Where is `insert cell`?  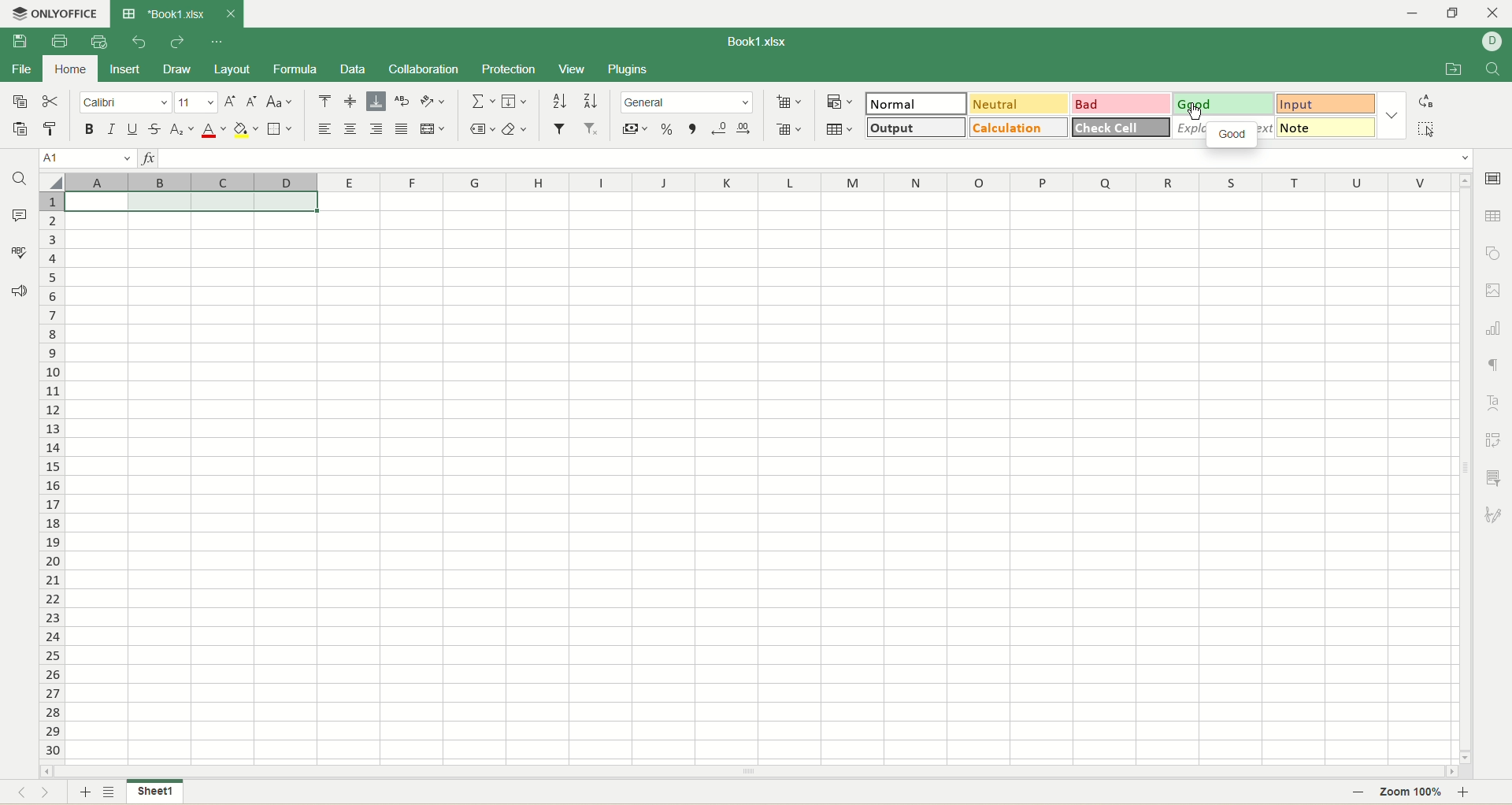
insert cell is located at coordinates (789, 103).